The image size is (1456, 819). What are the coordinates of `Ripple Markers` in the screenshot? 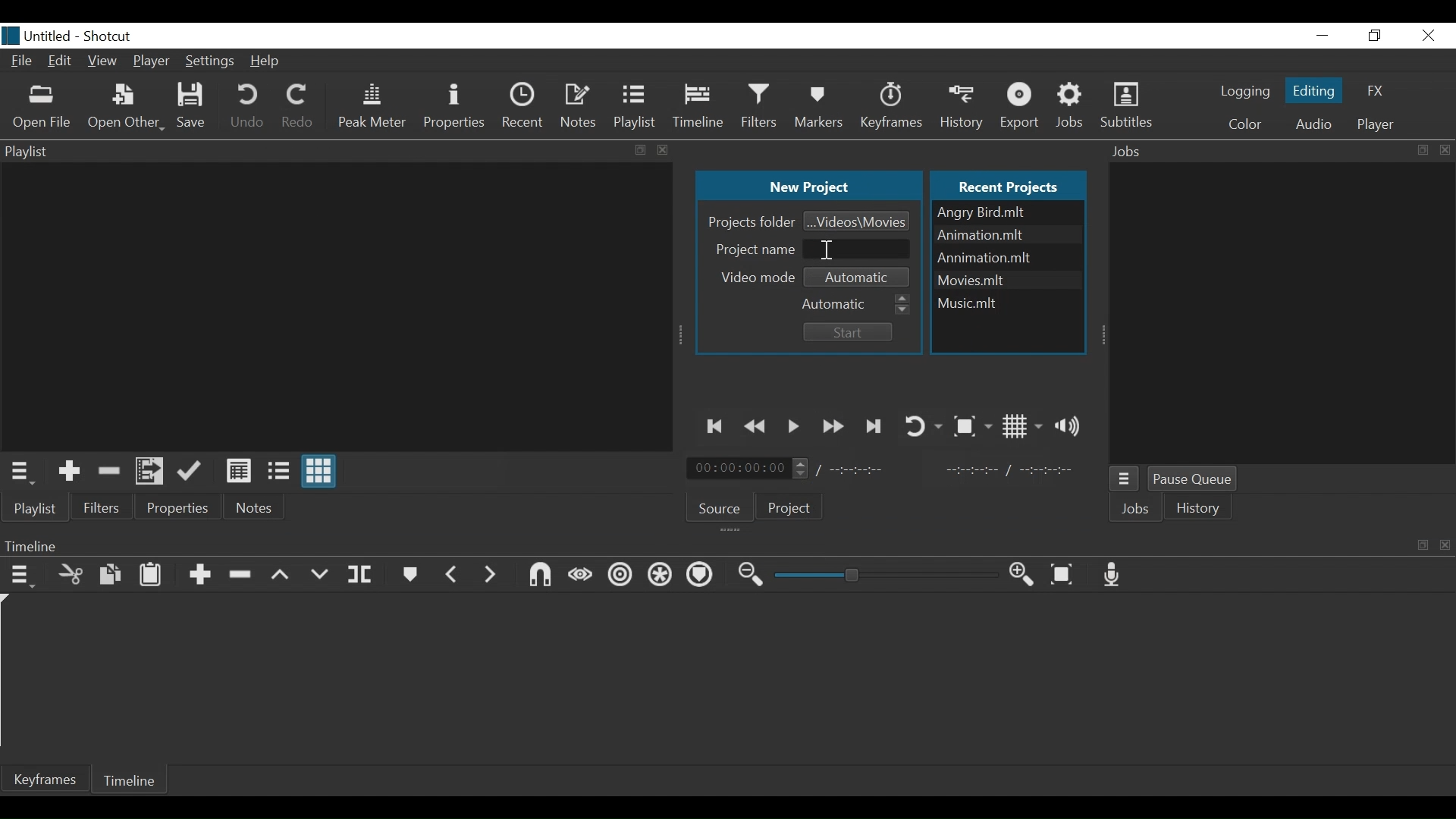 It's located at (702, 576).